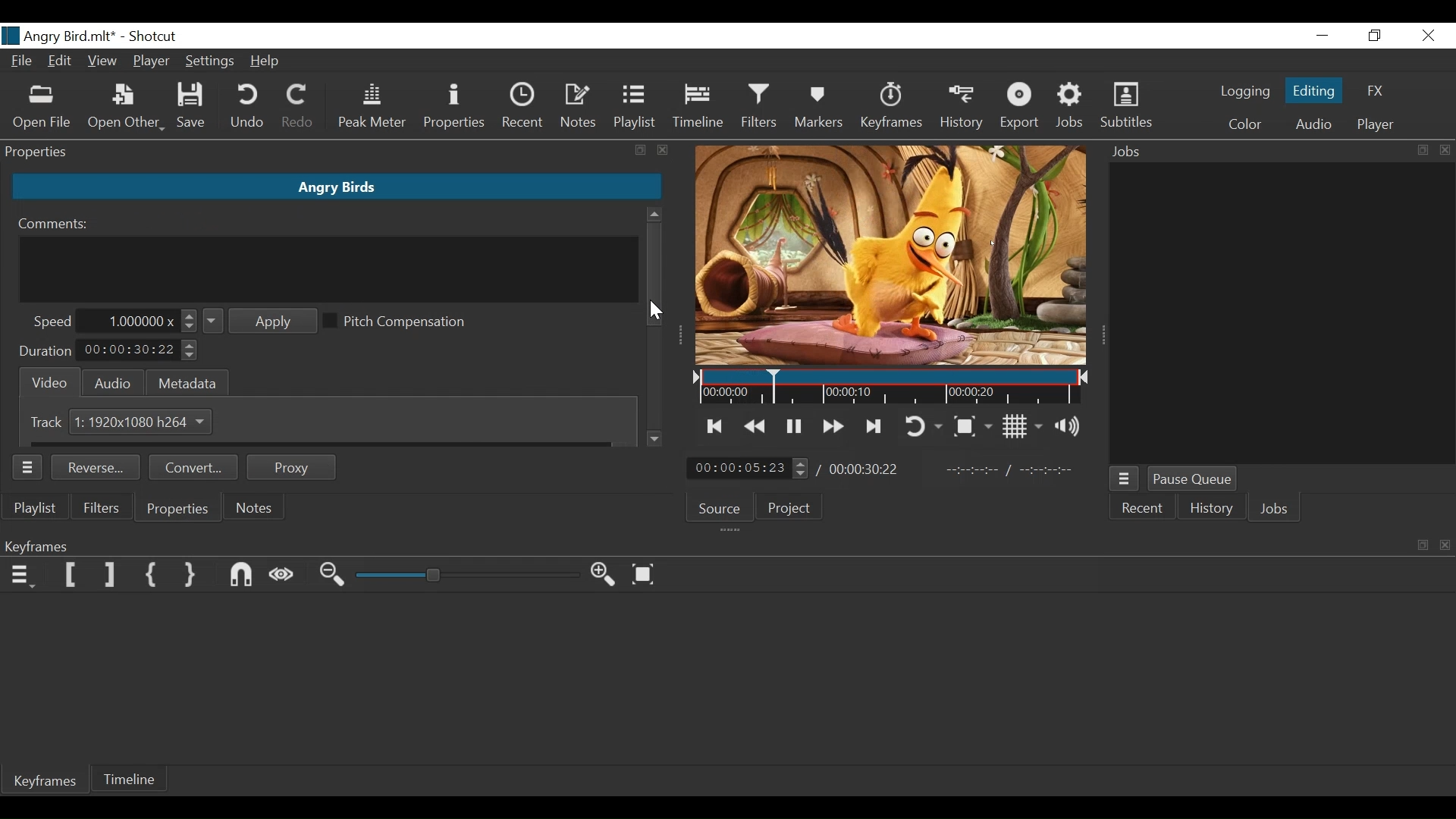 Image resolution: width=1456 pixels, height=819 pixels. Describe the element at coordinates (190, 383) in the screenshot. I see `Metadat` at that location.